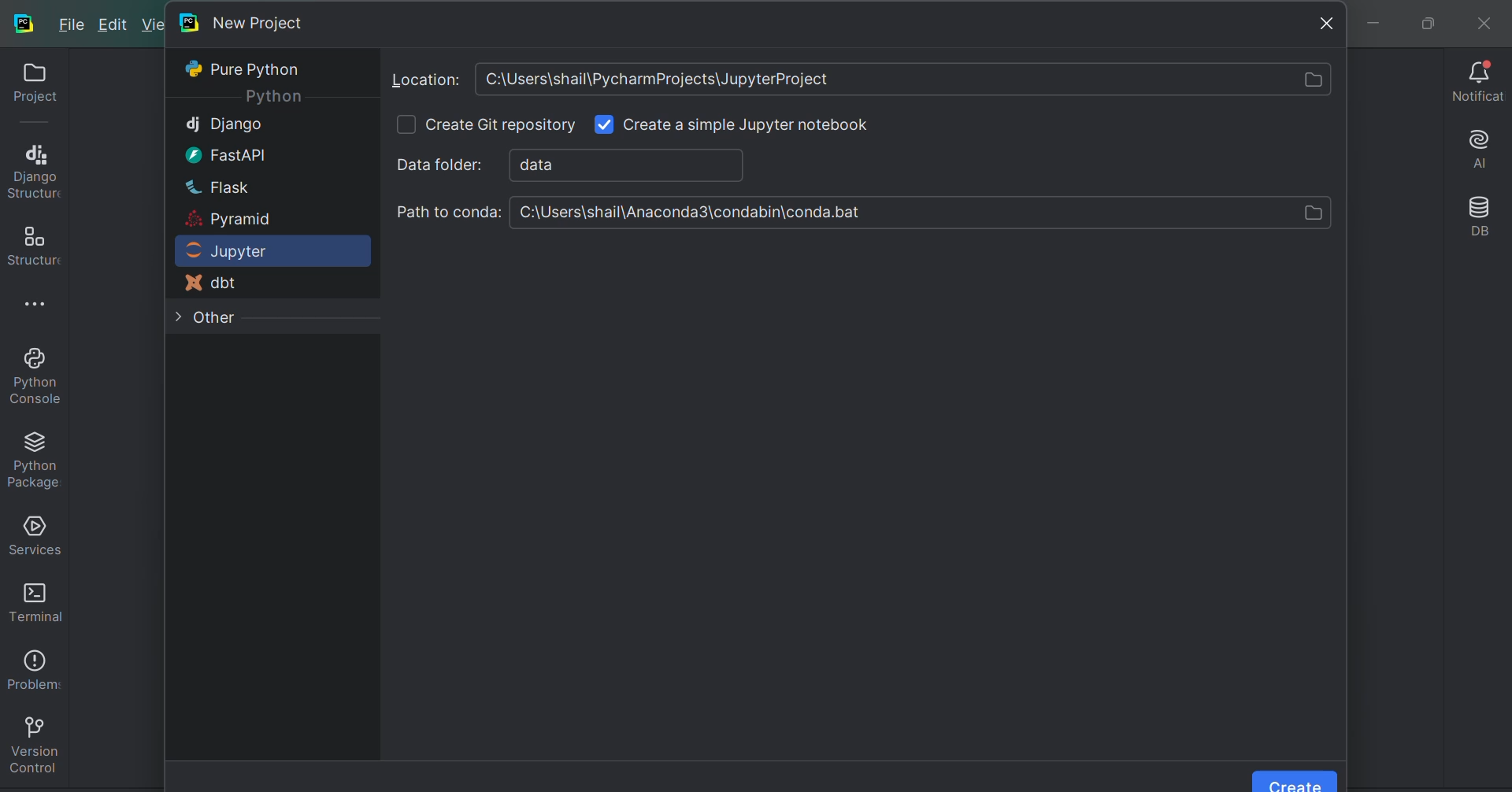  Describe the element at coordinates (1295, 781) in the screenshot. I see `create` at that location.